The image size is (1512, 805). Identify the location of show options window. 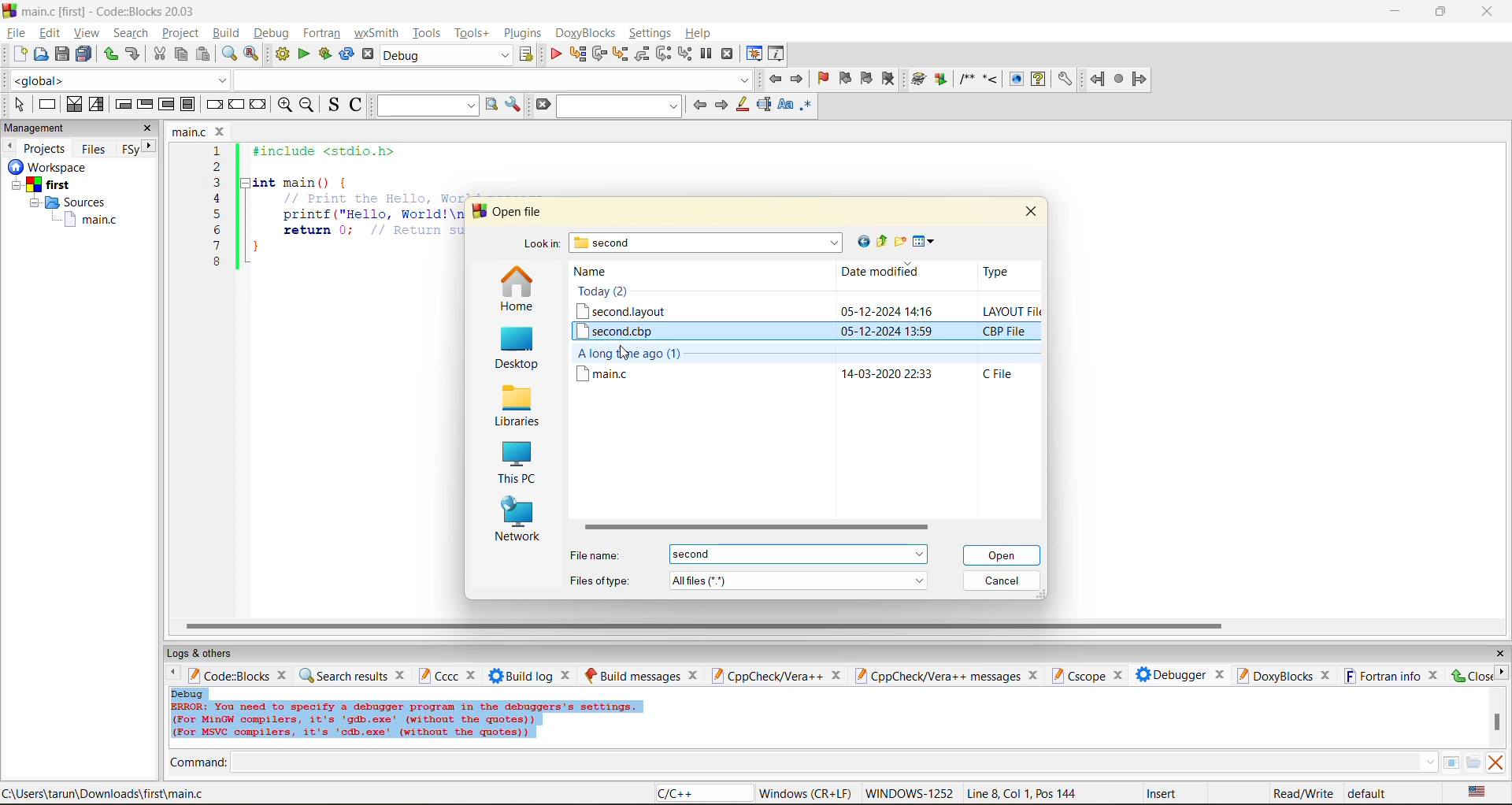
(513, 105).